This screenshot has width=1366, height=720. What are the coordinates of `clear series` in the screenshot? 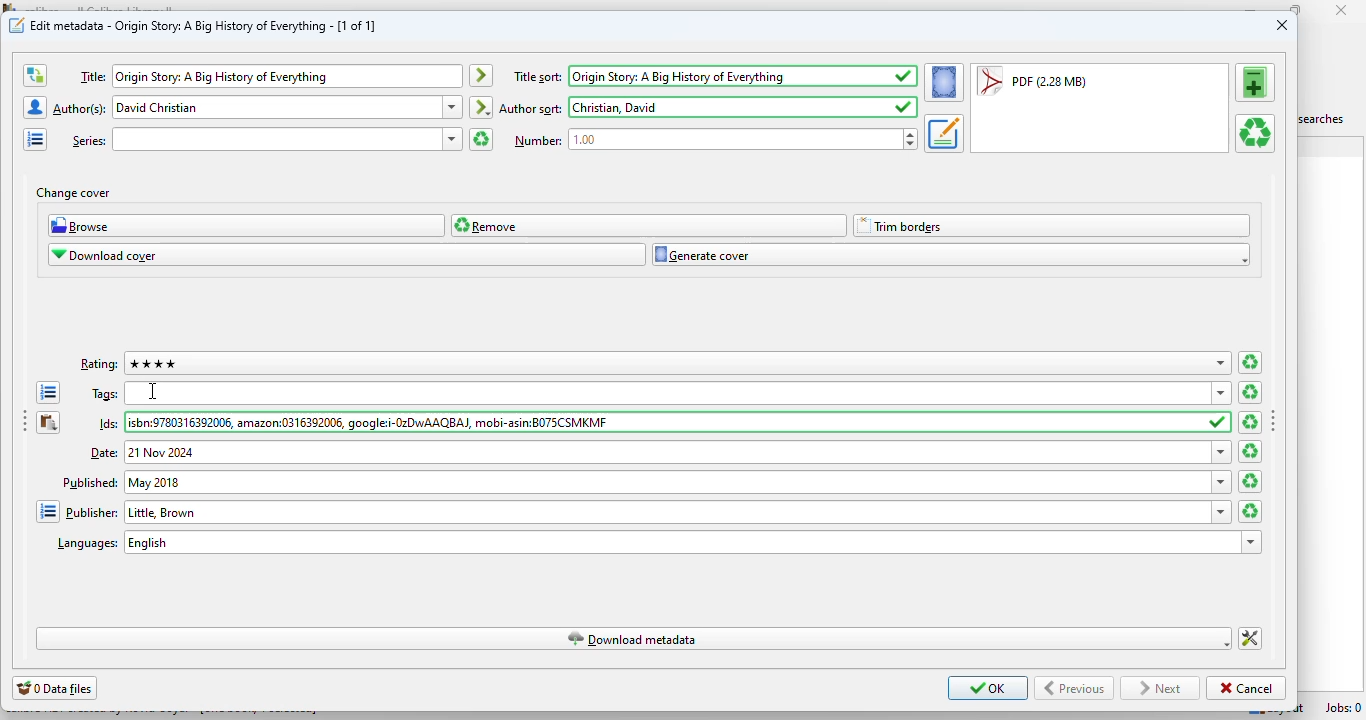 It's located at (481, 139).